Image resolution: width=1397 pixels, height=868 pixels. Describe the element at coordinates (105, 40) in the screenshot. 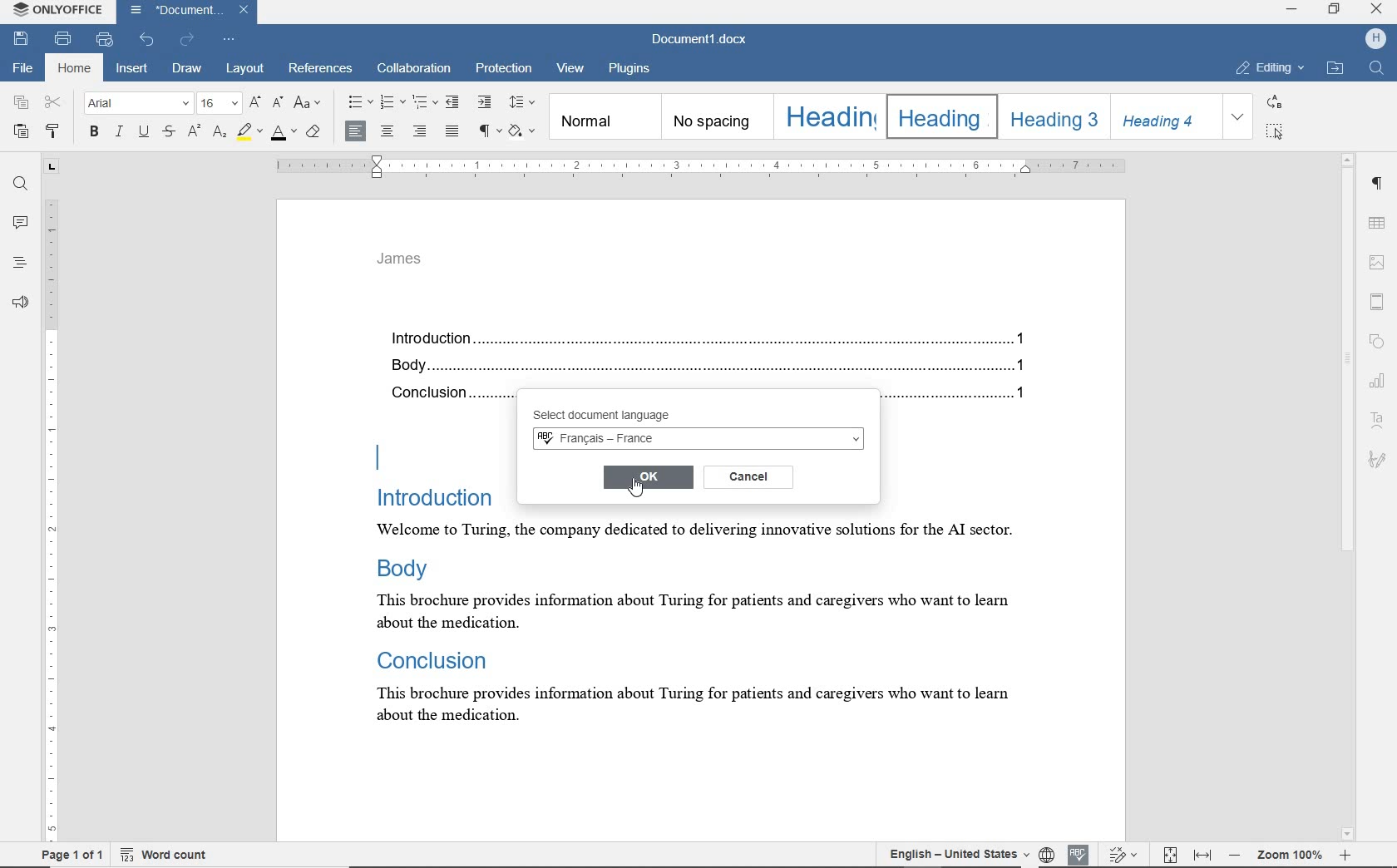

I see `quick print` at that location.